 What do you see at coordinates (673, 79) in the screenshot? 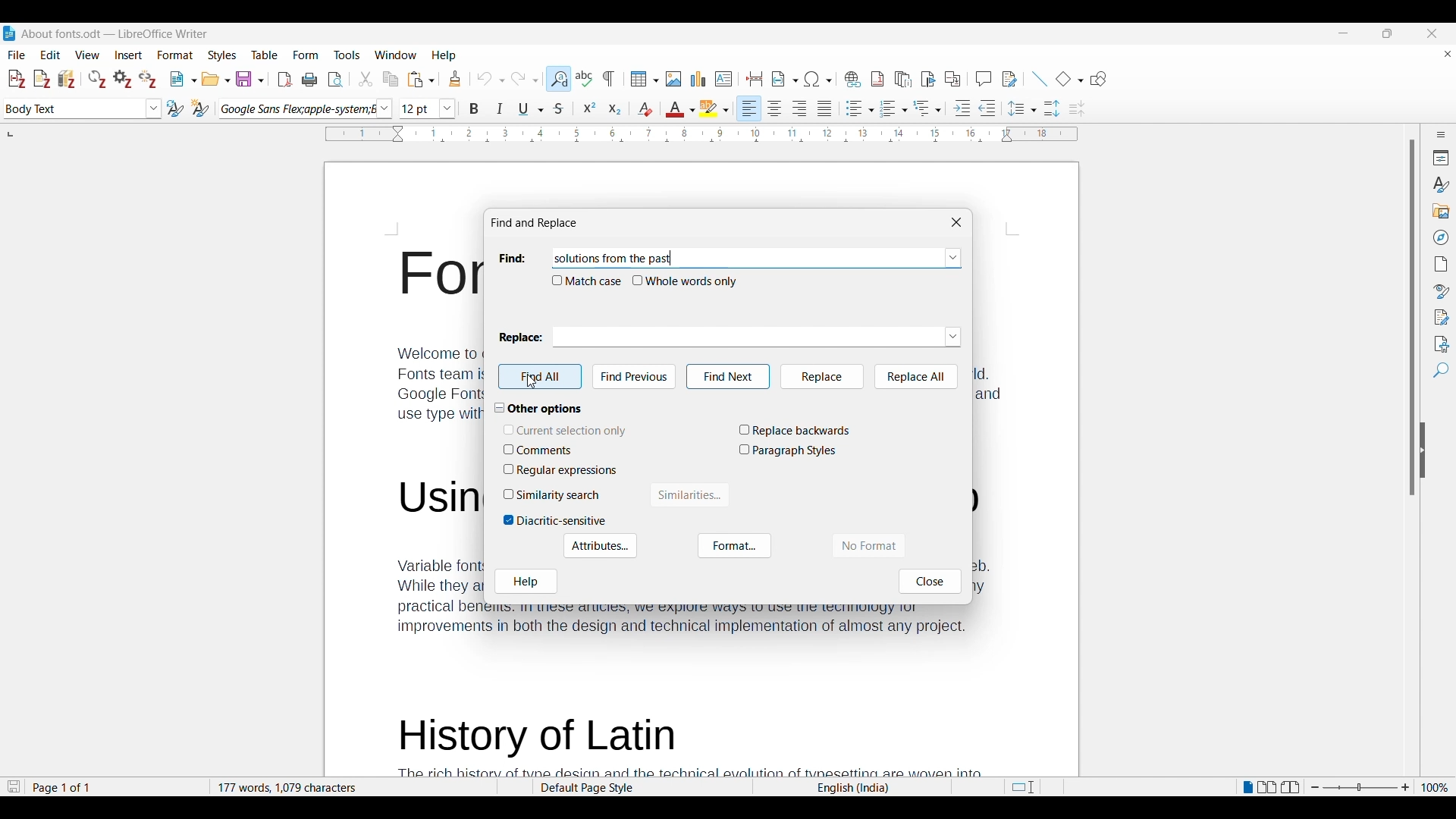
I see `Insert image` at bounding box center [673, 79].